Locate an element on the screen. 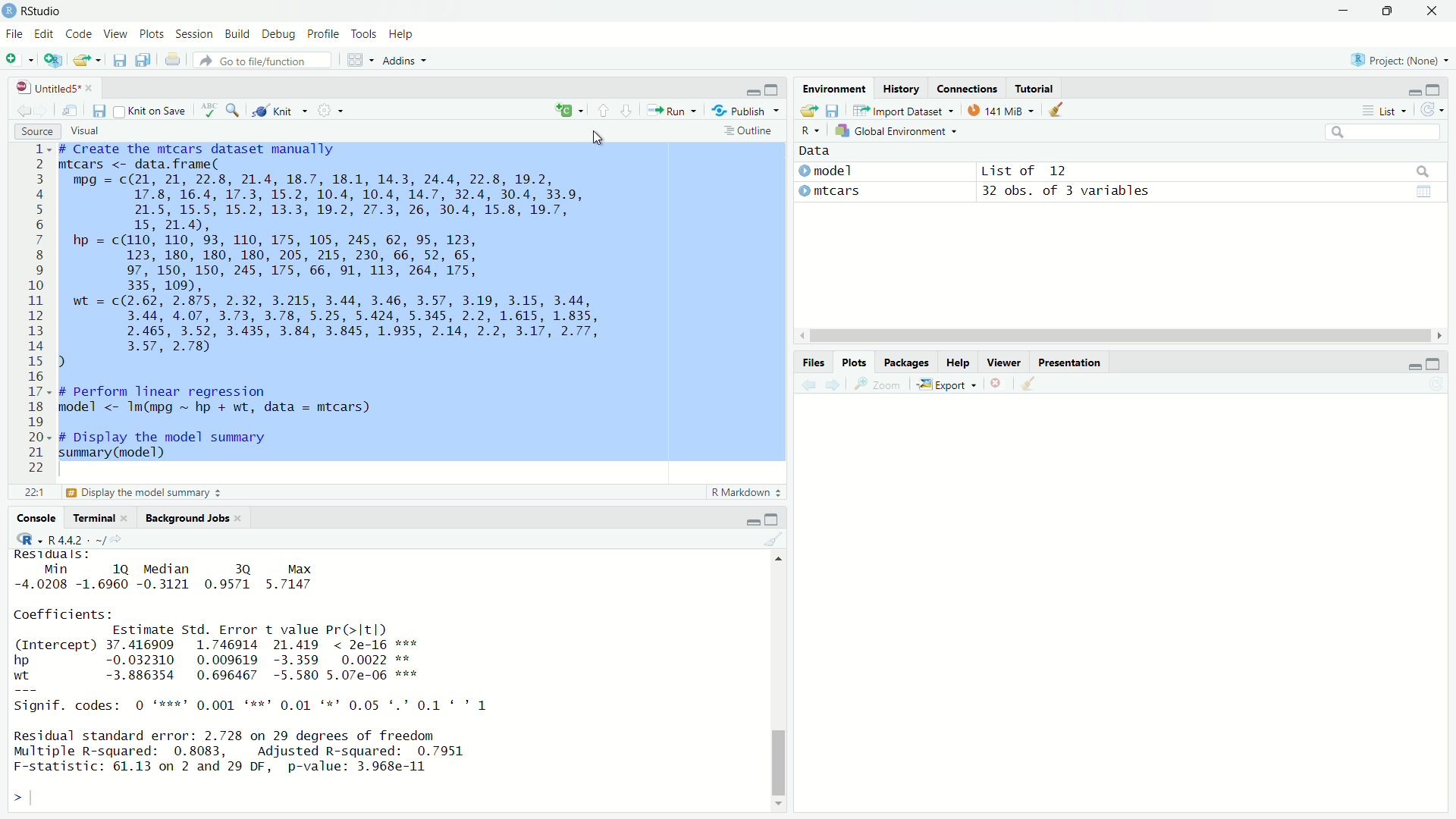 The width and height of the screenshot is (1456, 819). cursor is located at coordinates (599, 134).